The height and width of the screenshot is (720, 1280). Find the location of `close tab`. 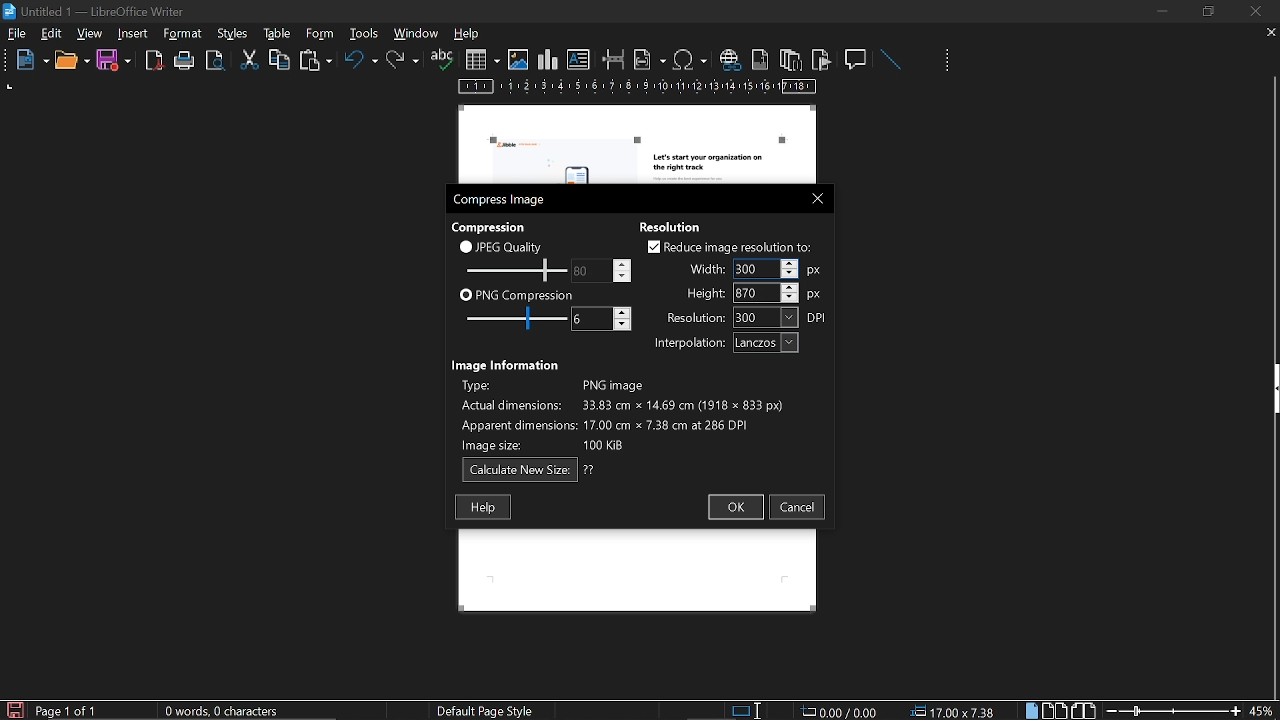

close tab is located at coordinates (1271, 34).